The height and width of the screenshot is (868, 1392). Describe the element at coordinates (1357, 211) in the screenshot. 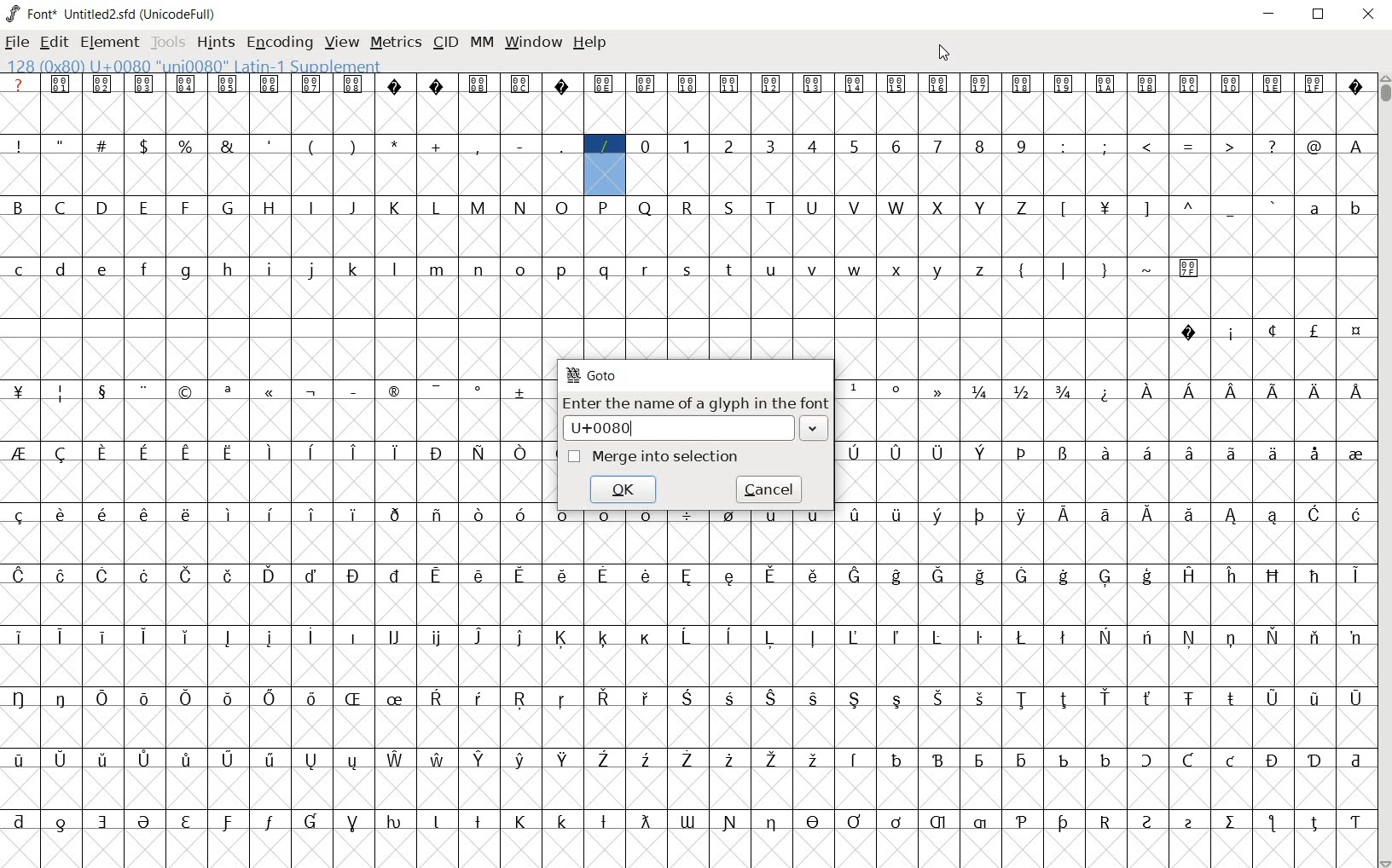

I see `glyph` at that location.